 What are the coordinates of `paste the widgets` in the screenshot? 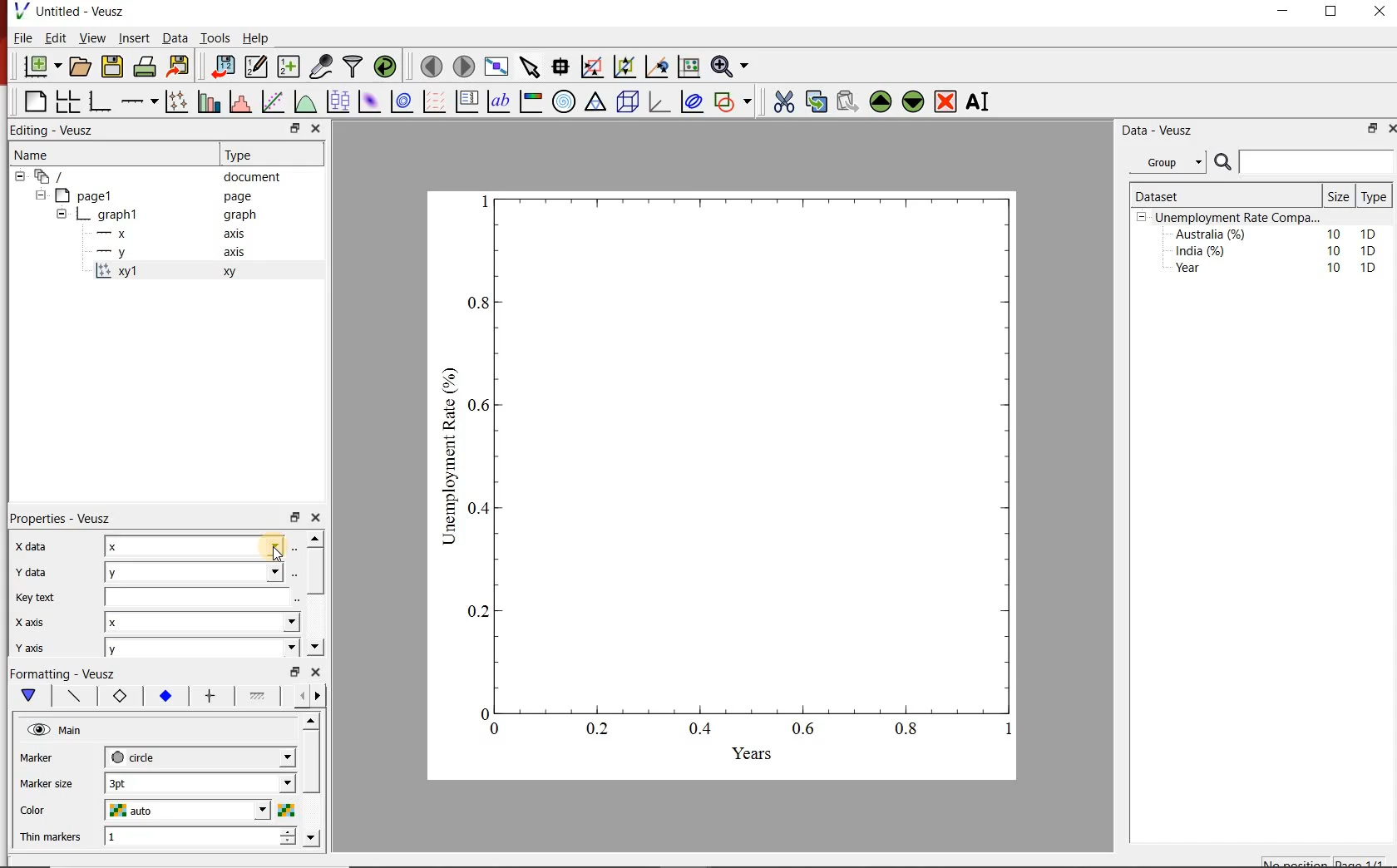 It's located at (848, 101).